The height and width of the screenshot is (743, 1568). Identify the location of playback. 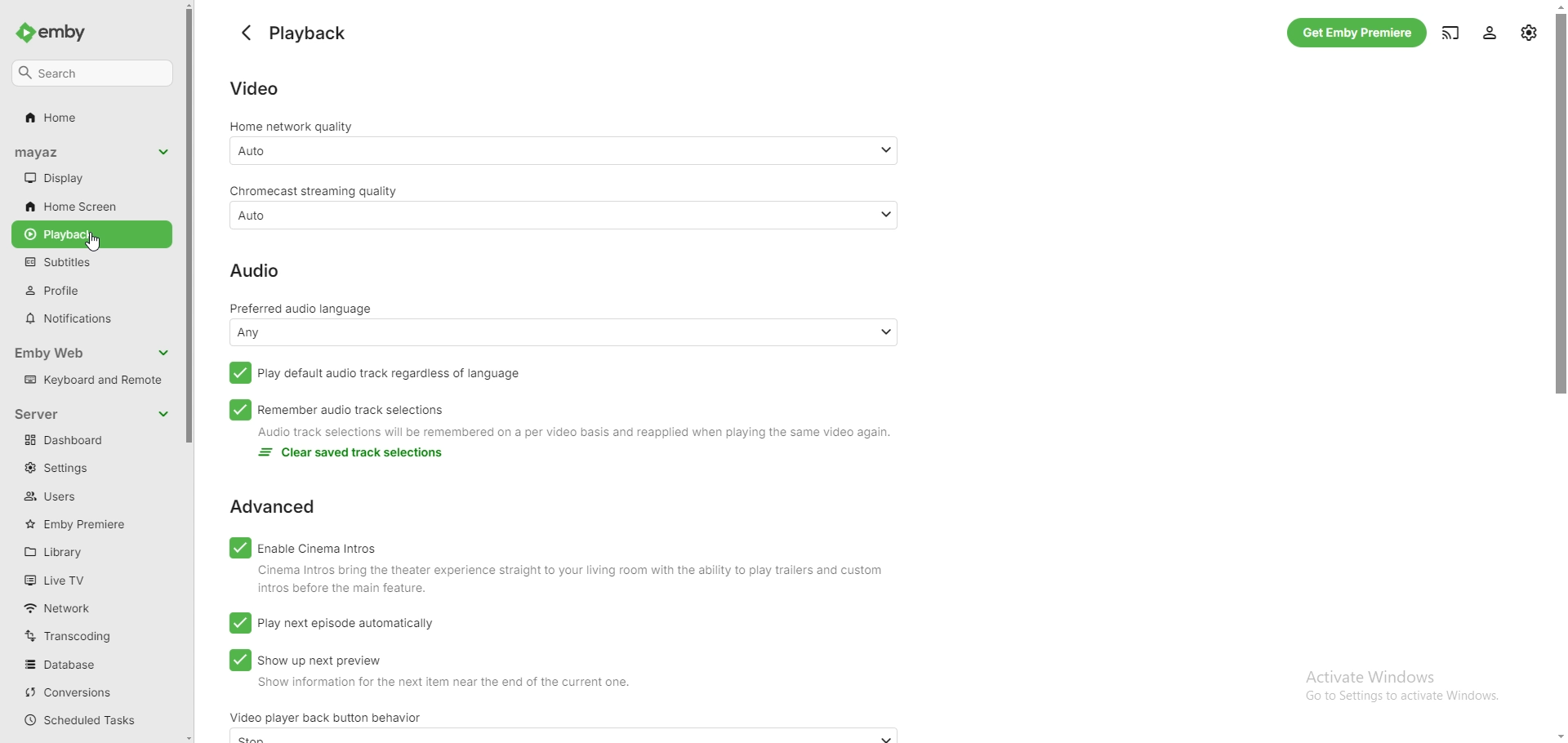
(91, 234).